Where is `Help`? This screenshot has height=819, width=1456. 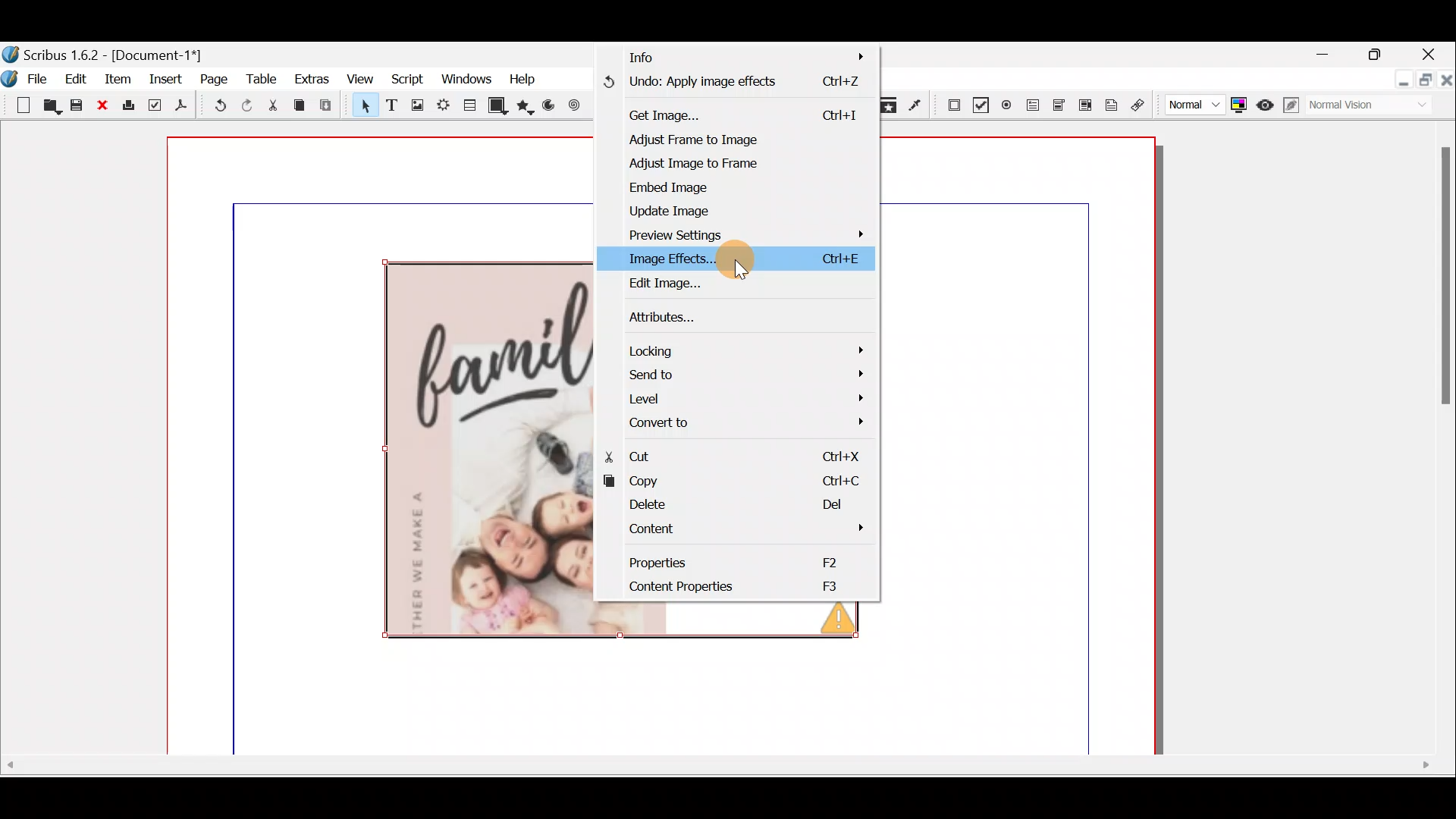 Help is located at coordinates (531, 81).